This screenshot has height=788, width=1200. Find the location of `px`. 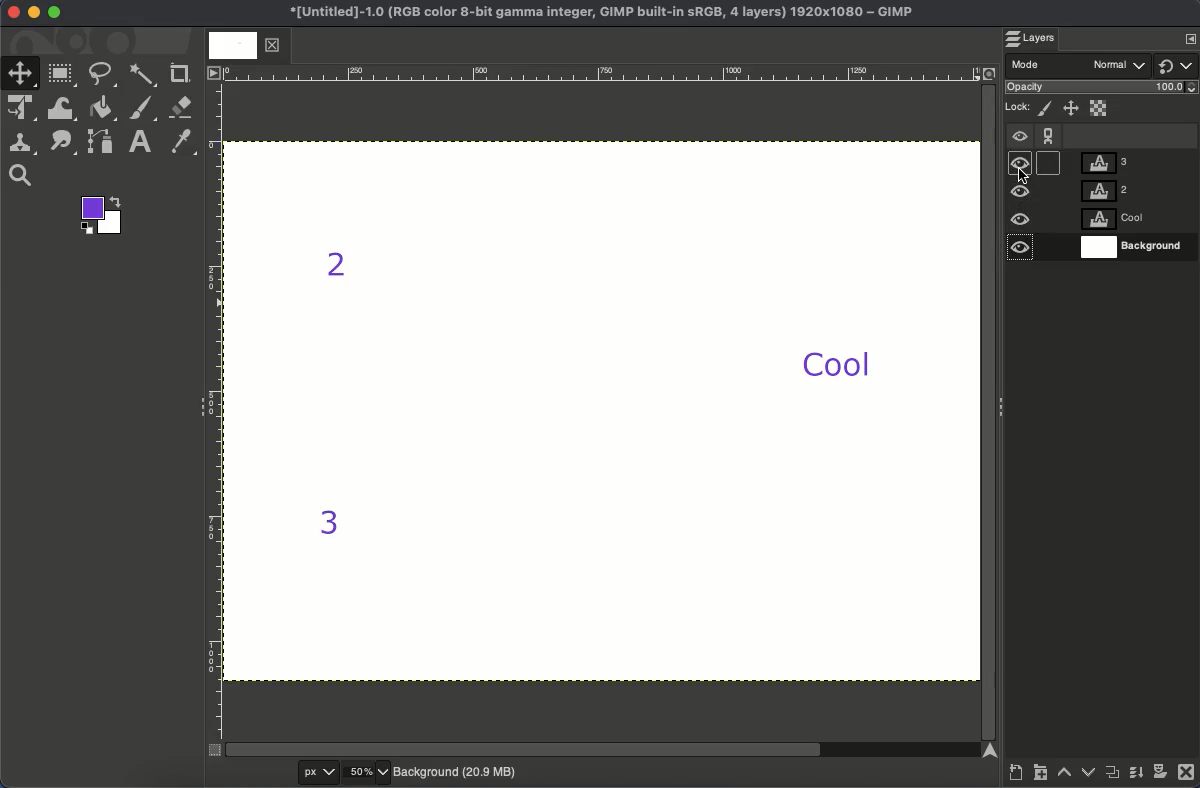

px is located at coordinates (303, 772).